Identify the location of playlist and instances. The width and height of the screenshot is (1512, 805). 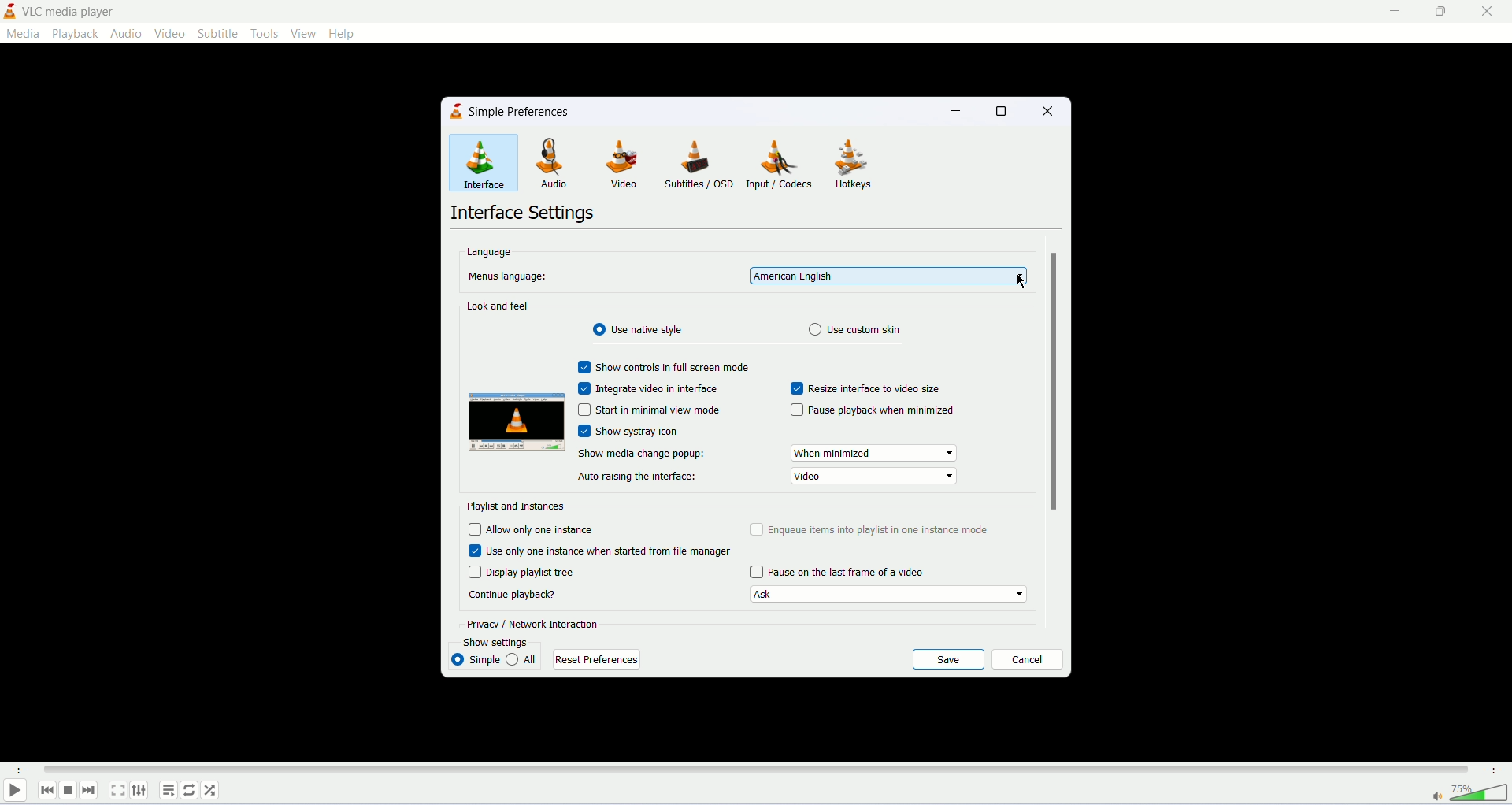
(516, 506).